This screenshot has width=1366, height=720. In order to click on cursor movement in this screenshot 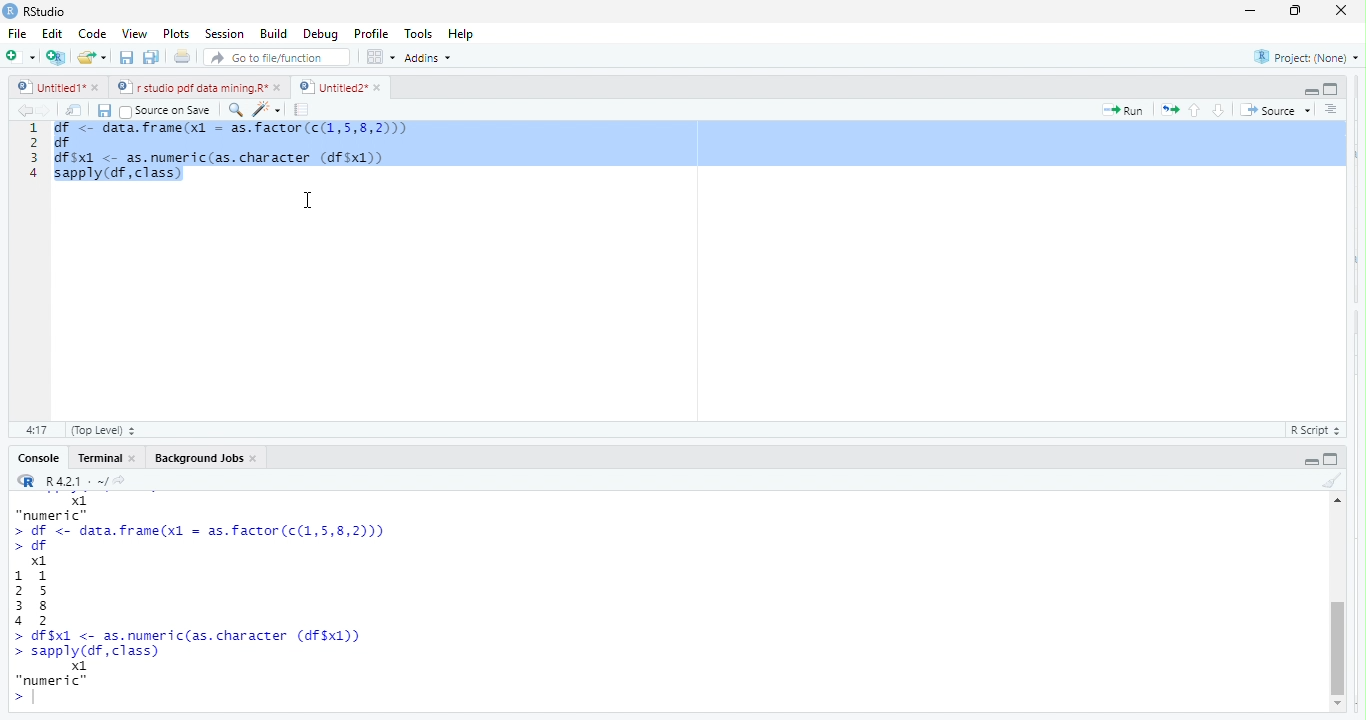, I will do `click(313, 200)`.